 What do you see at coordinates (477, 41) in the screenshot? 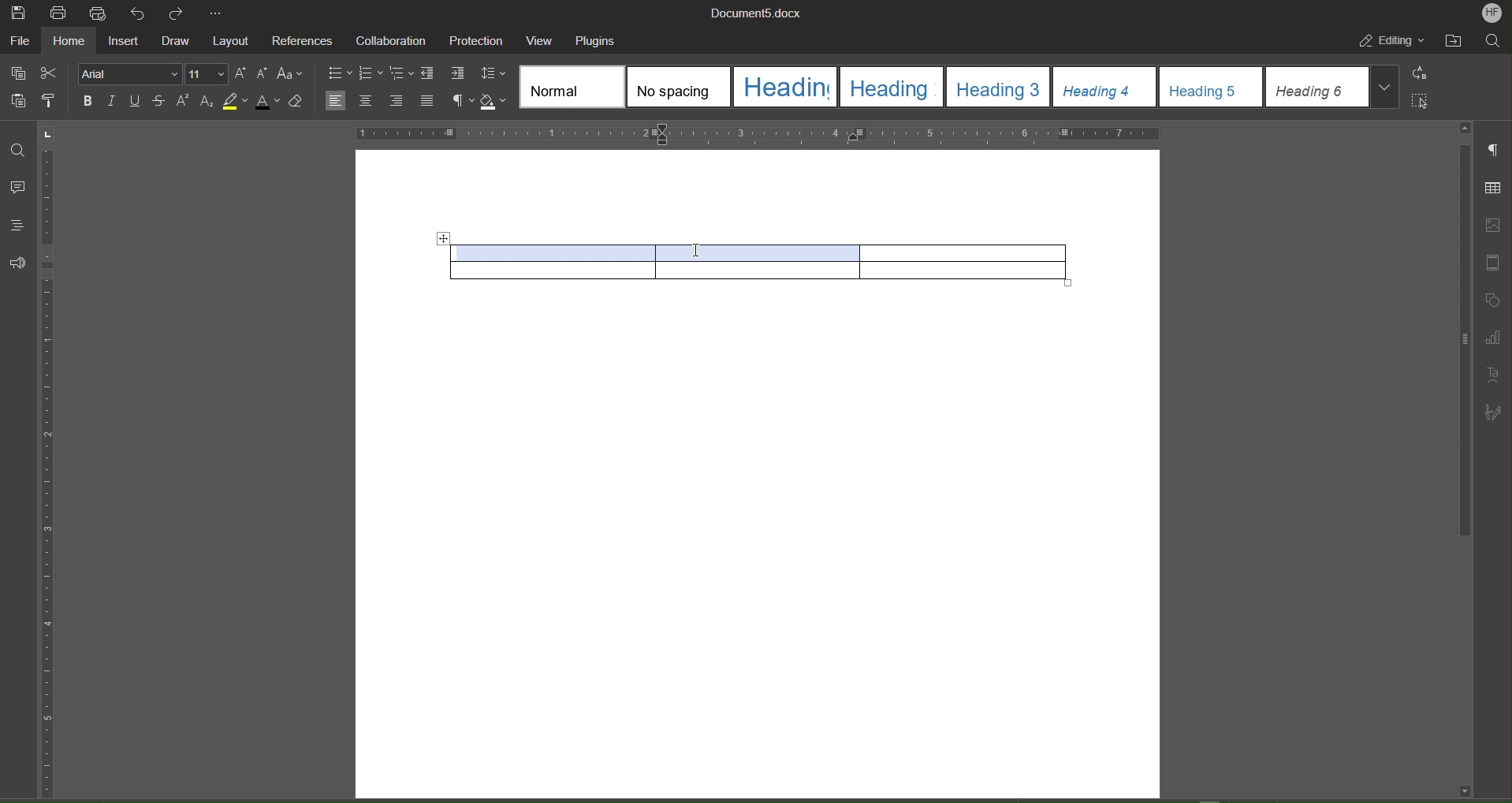
I see `Protection` at bounding box center [477, 41].